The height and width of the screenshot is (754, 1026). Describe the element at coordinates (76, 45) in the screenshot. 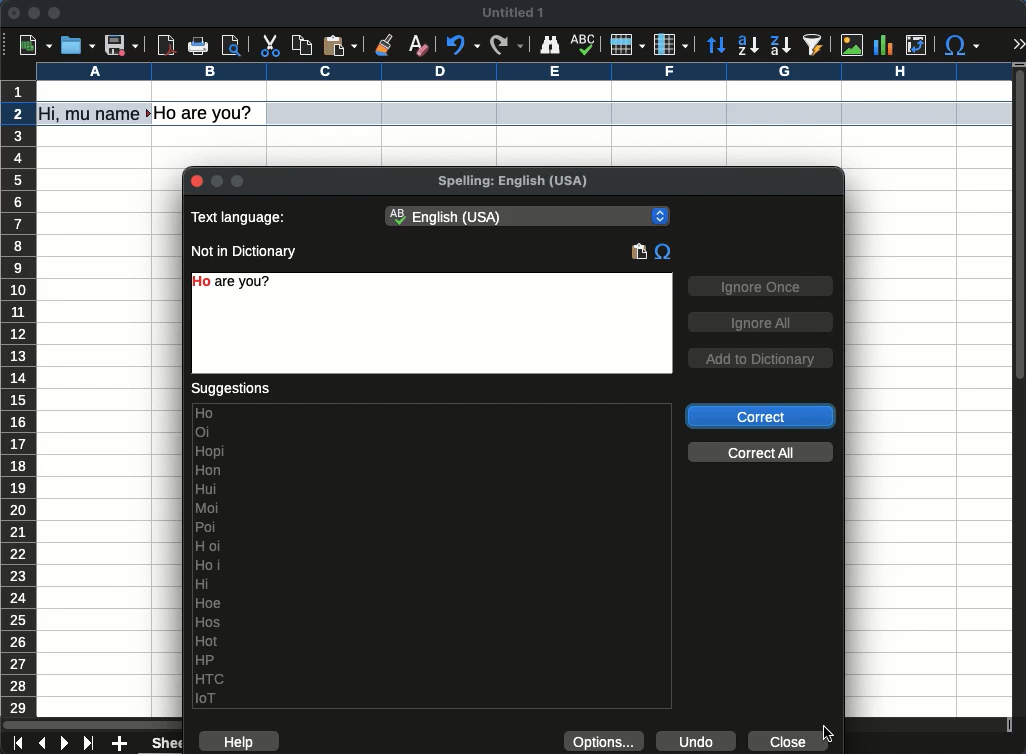

I see `open` at that location.